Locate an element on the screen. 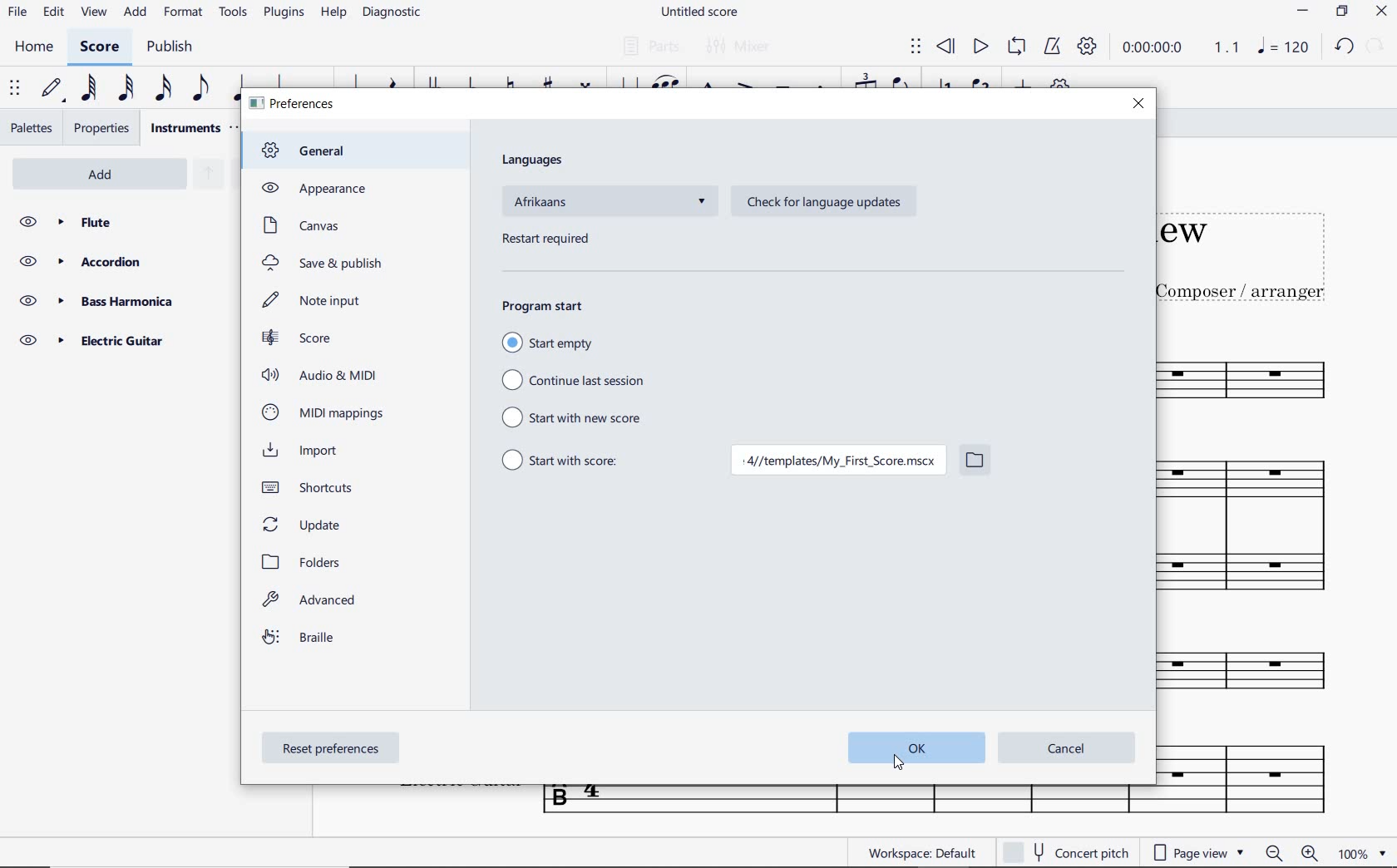  start with score is located at coordinates (573, 462).